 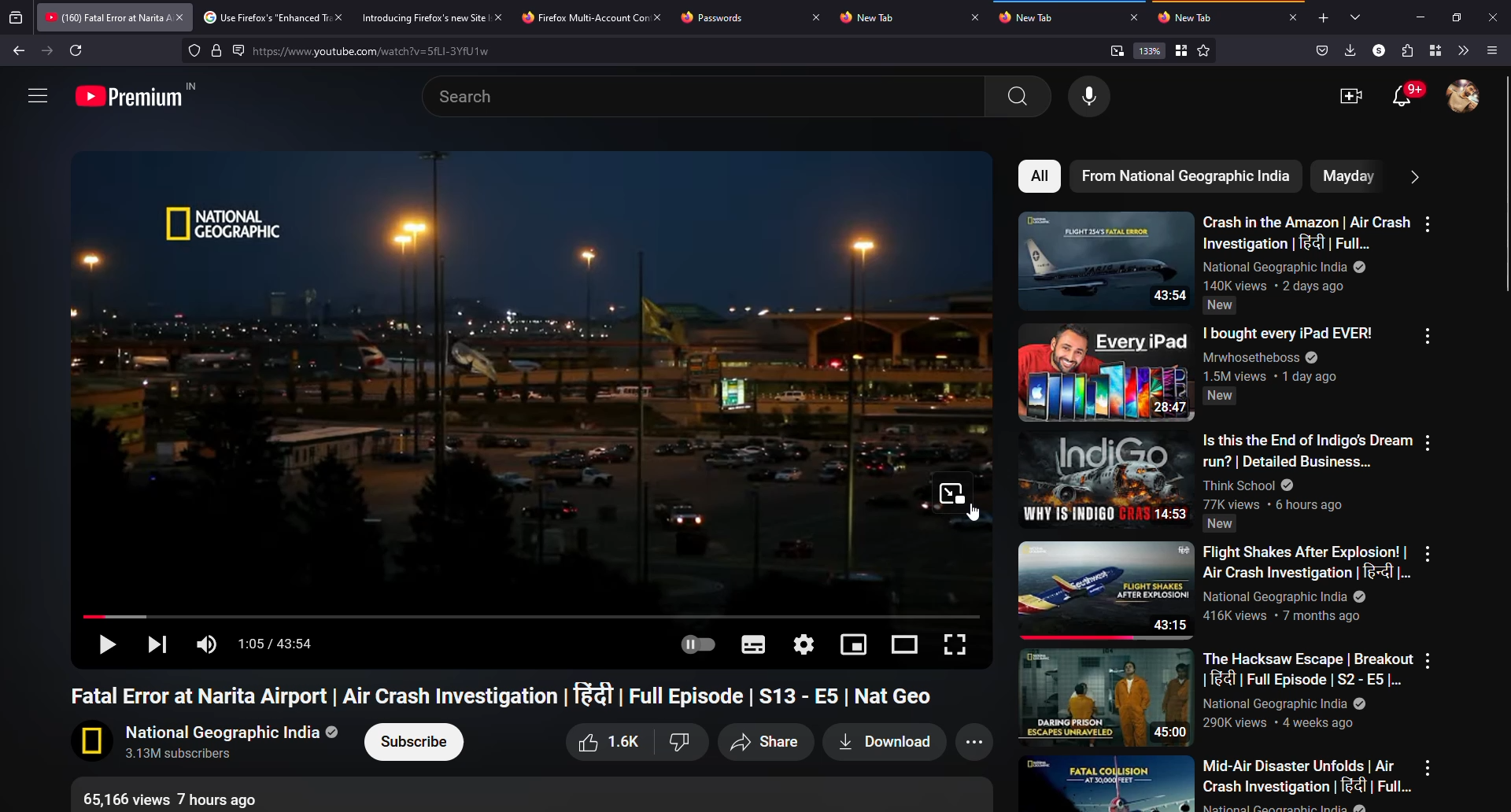 I want to click on more, so click(x=1427, y=553).